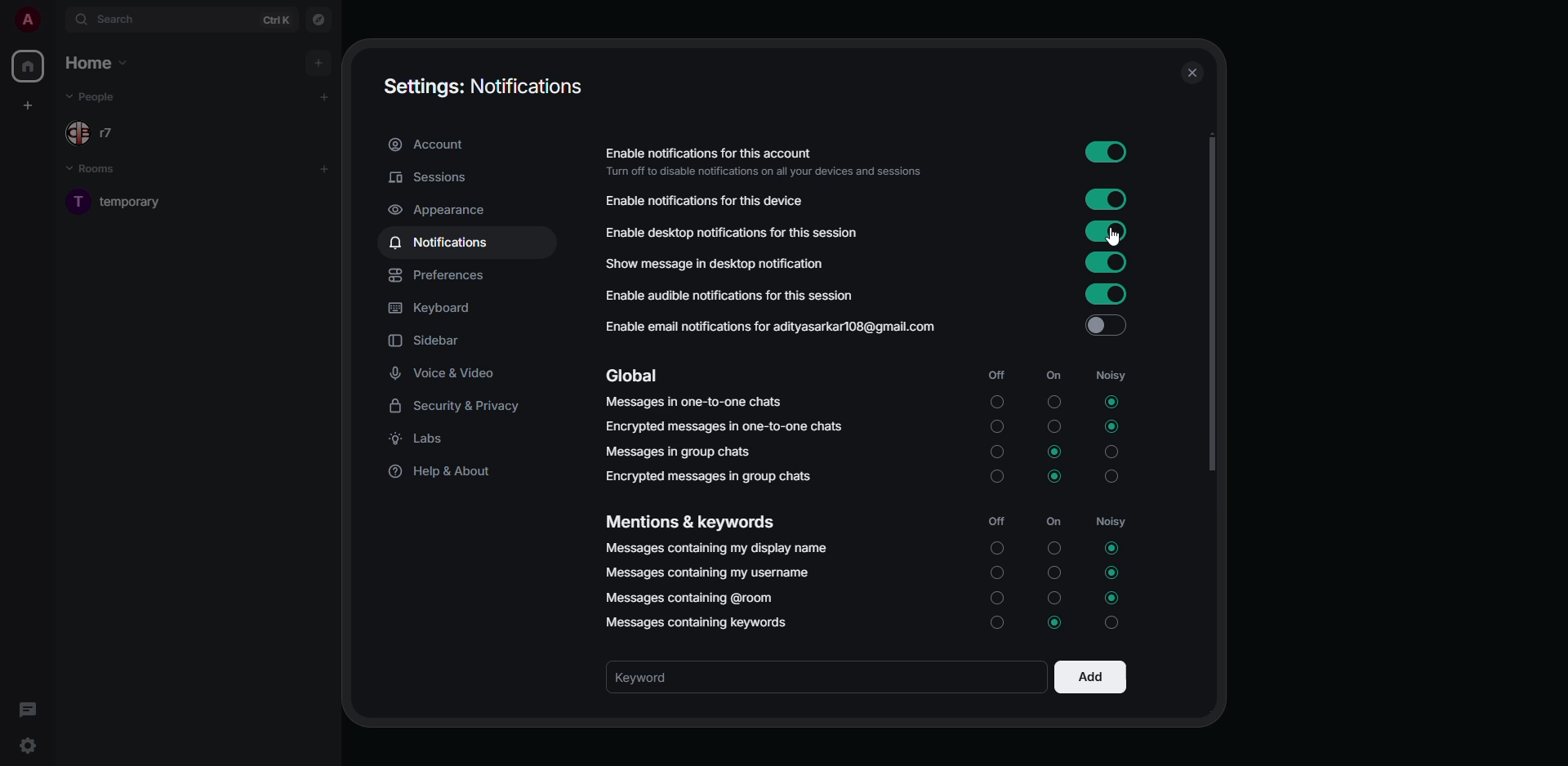 The height and width of the screenshot is (766, 1568). What do you see at coordinates (696, 403) in the screenshot?
I see `messages in one to one chats` at bounding box center [696, 403].